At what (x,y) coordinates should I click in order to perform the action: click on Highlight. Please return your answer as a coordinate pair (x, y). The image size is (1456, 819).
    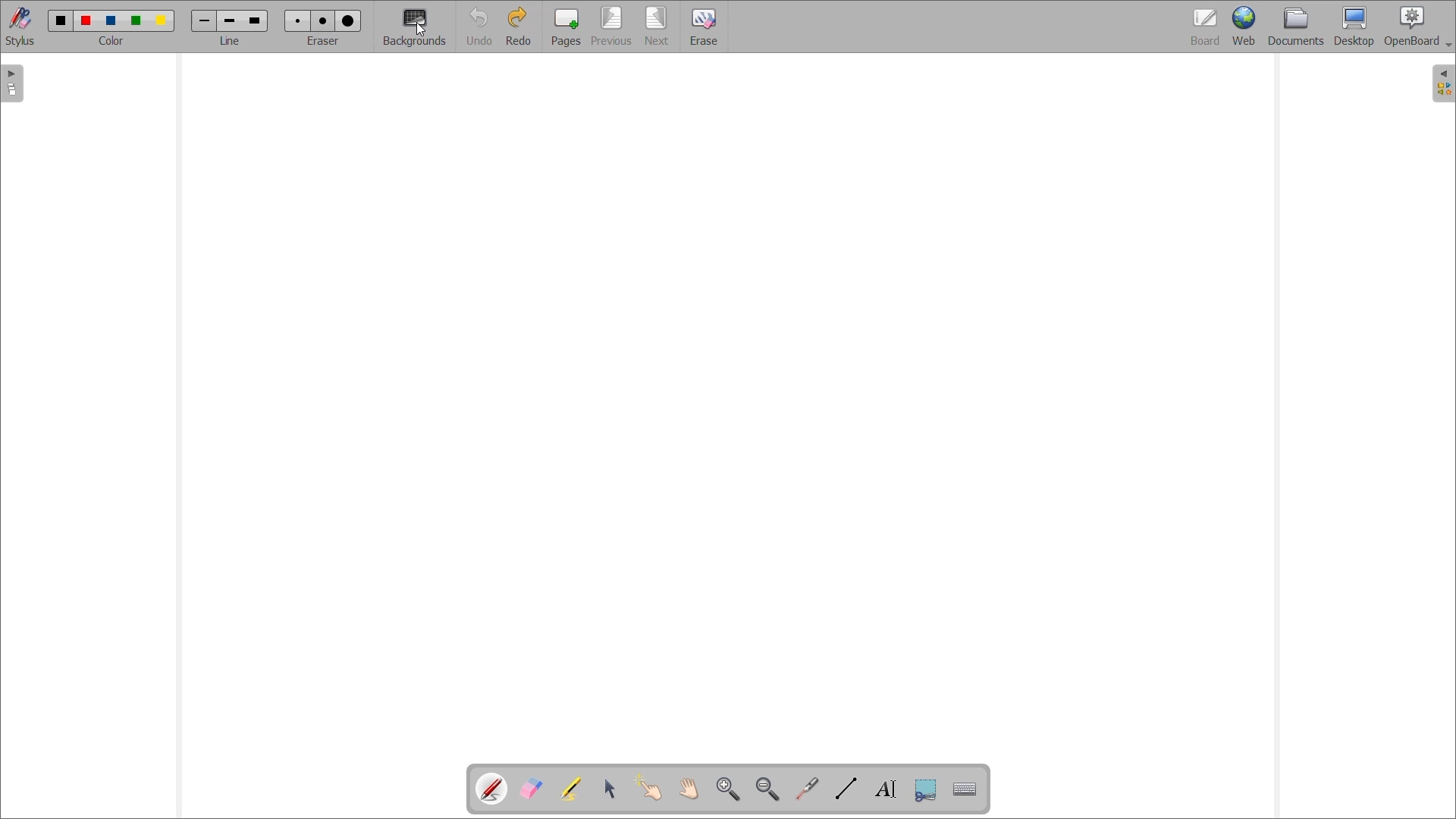
    Looking at the image, I should click on (570, 789).